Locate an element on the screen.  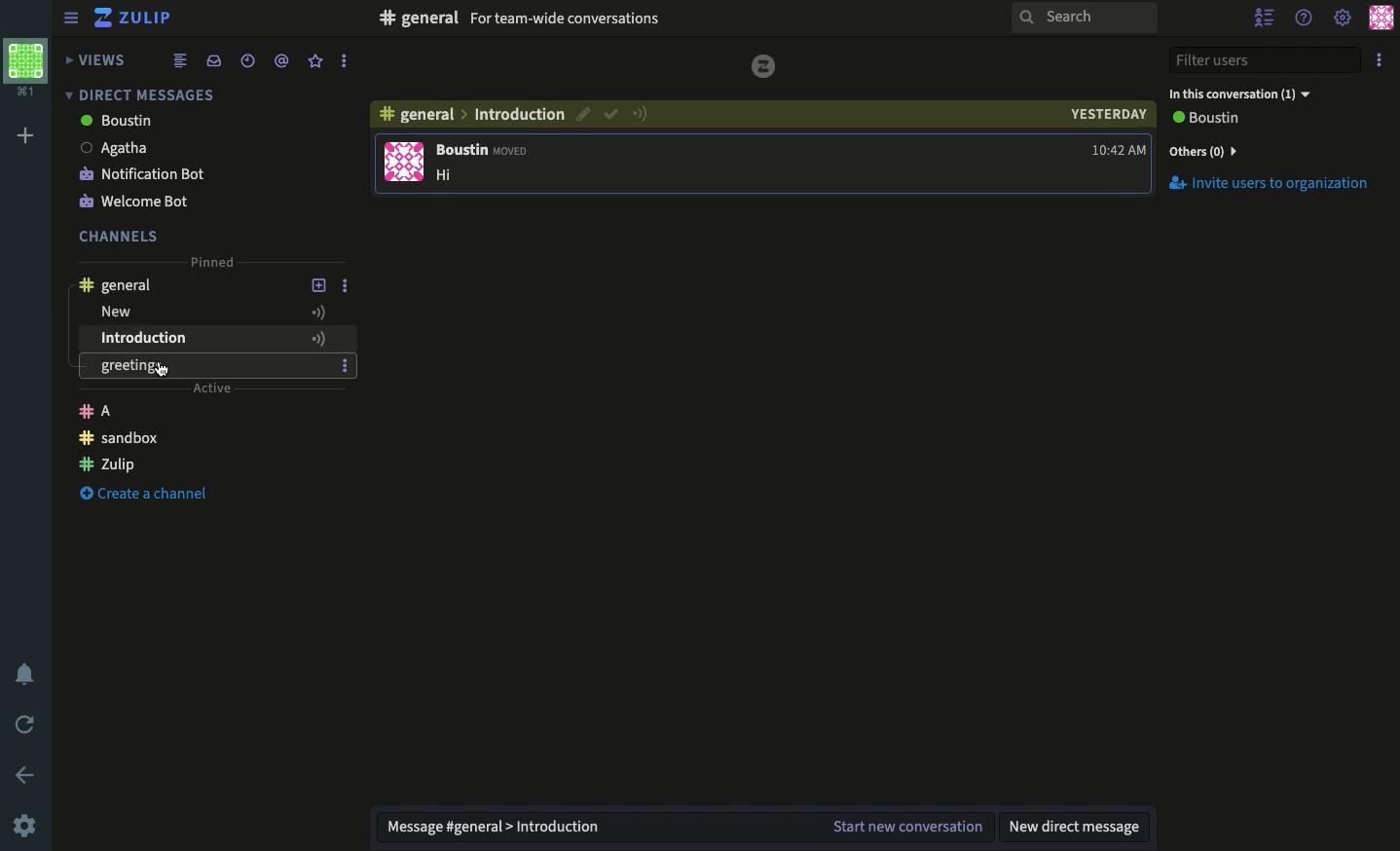
Active is located at coordinates (317, 339).